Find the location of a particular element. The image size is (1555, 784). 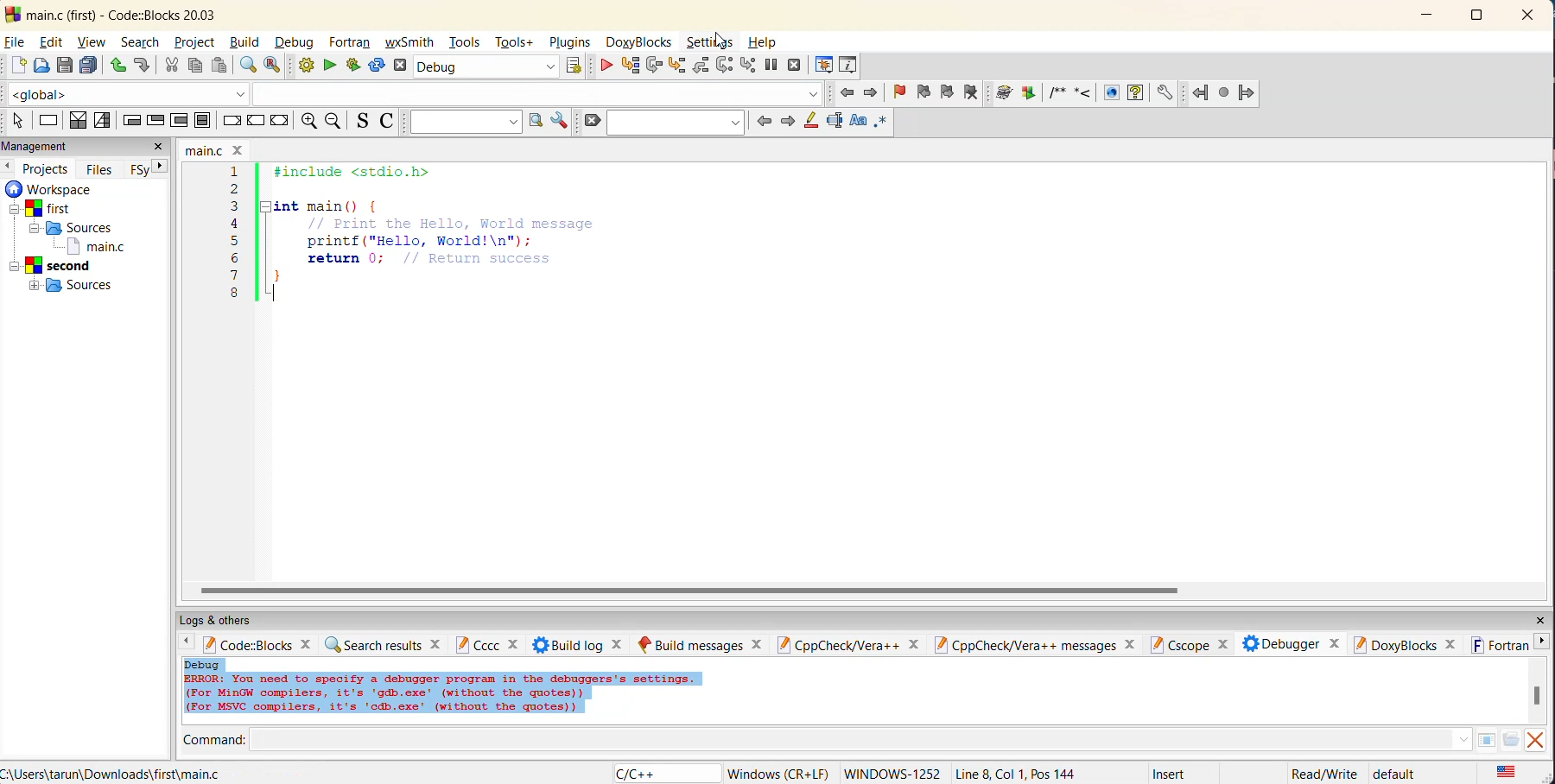

close output window is located at coordinates (1539, 740).